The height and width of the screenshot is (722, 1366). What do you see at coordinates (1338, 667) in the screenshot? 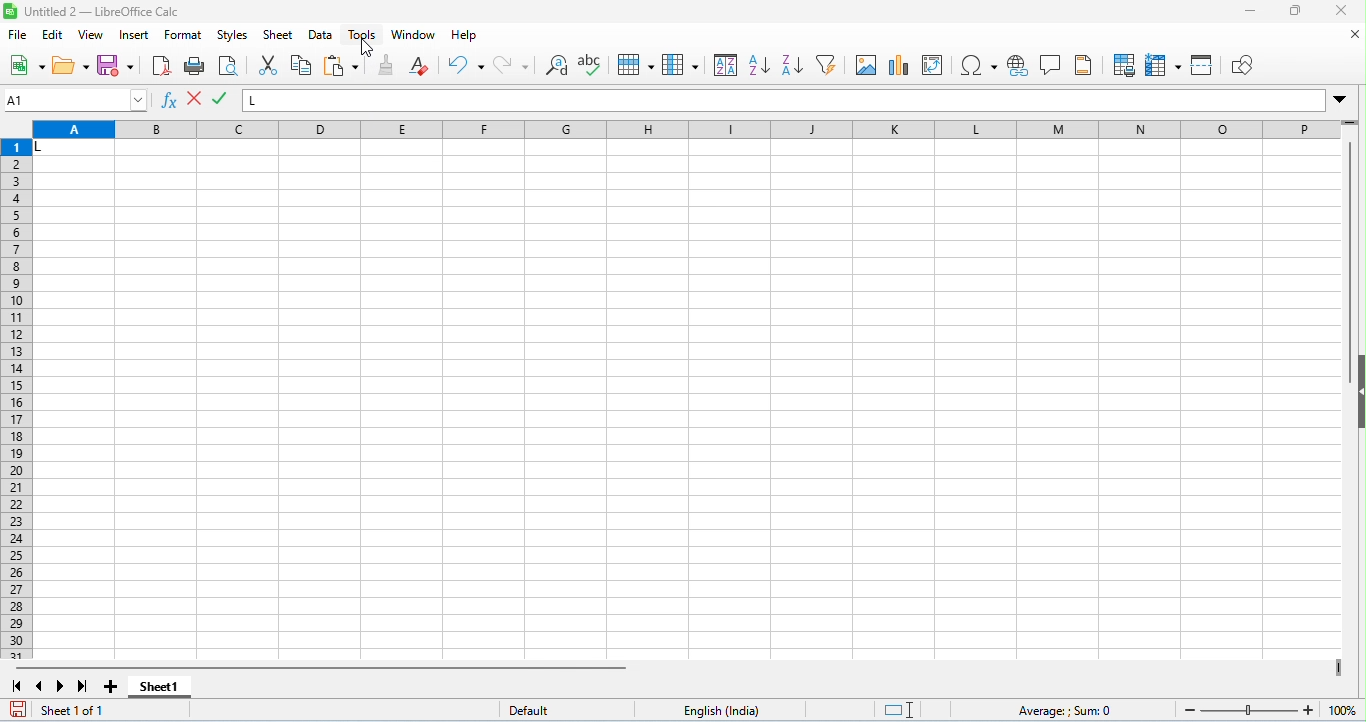
I see `drag to view next columns` at bounding box center [1338, 667].